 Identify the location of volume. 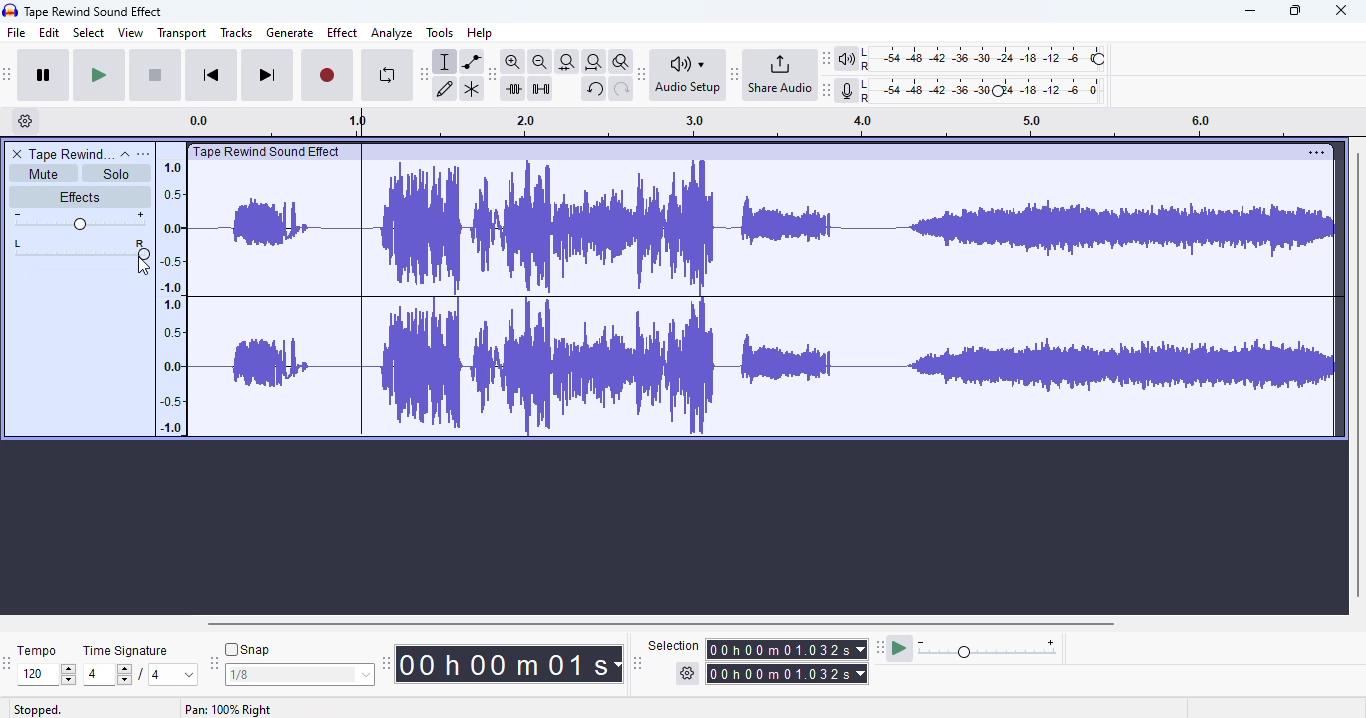
(79, 221).